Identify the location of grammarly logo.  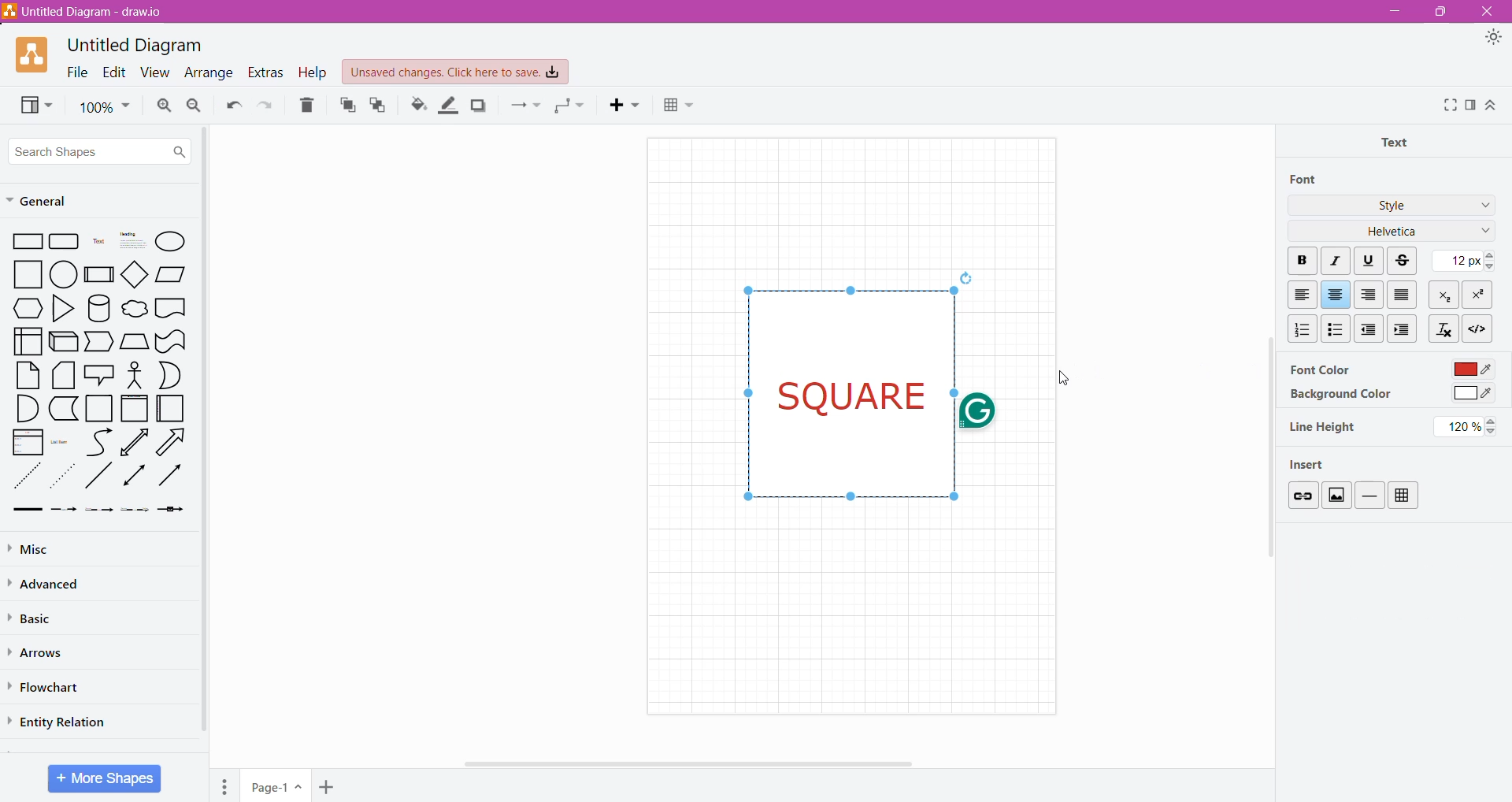
(978, 413).